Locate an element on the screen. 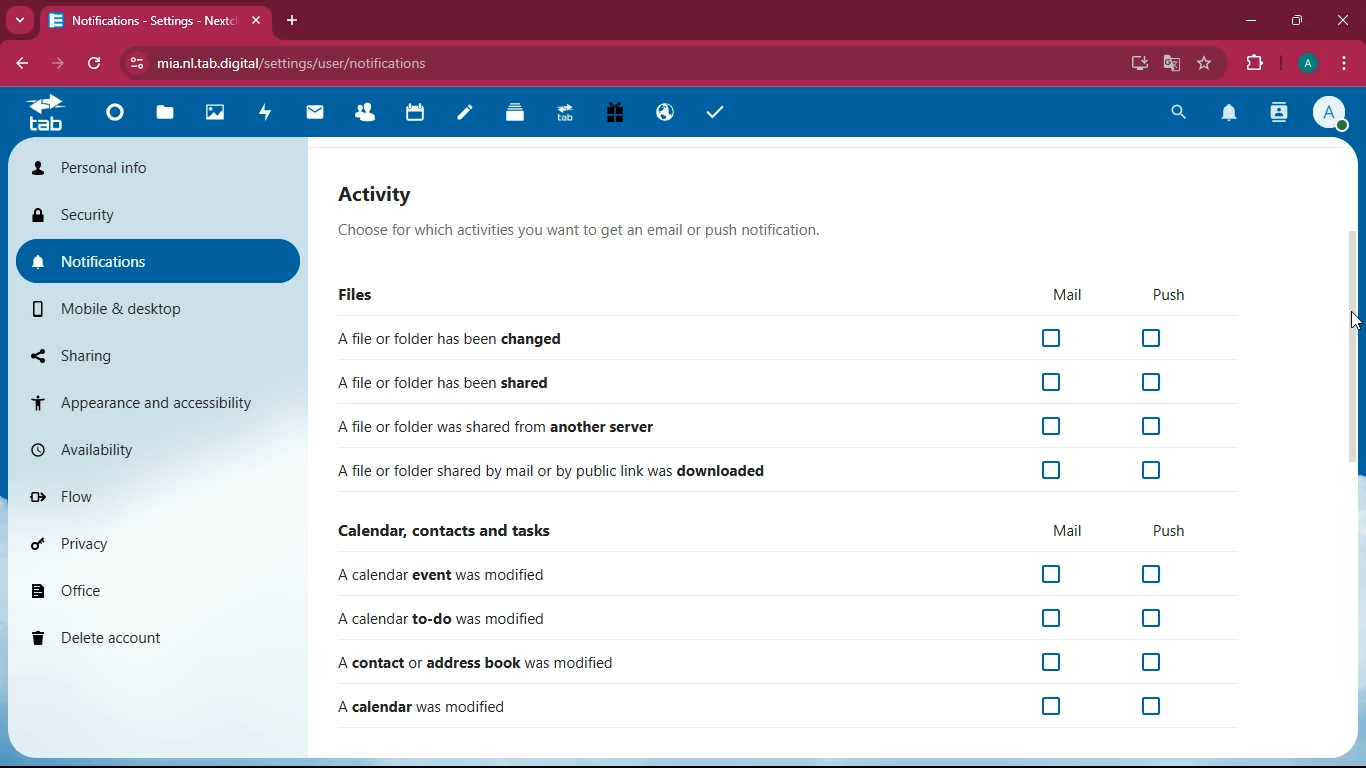 Image resolution: width=1366 pixels, height=768 pixels. bookmark this tab is located at coordinates (1207, 62).